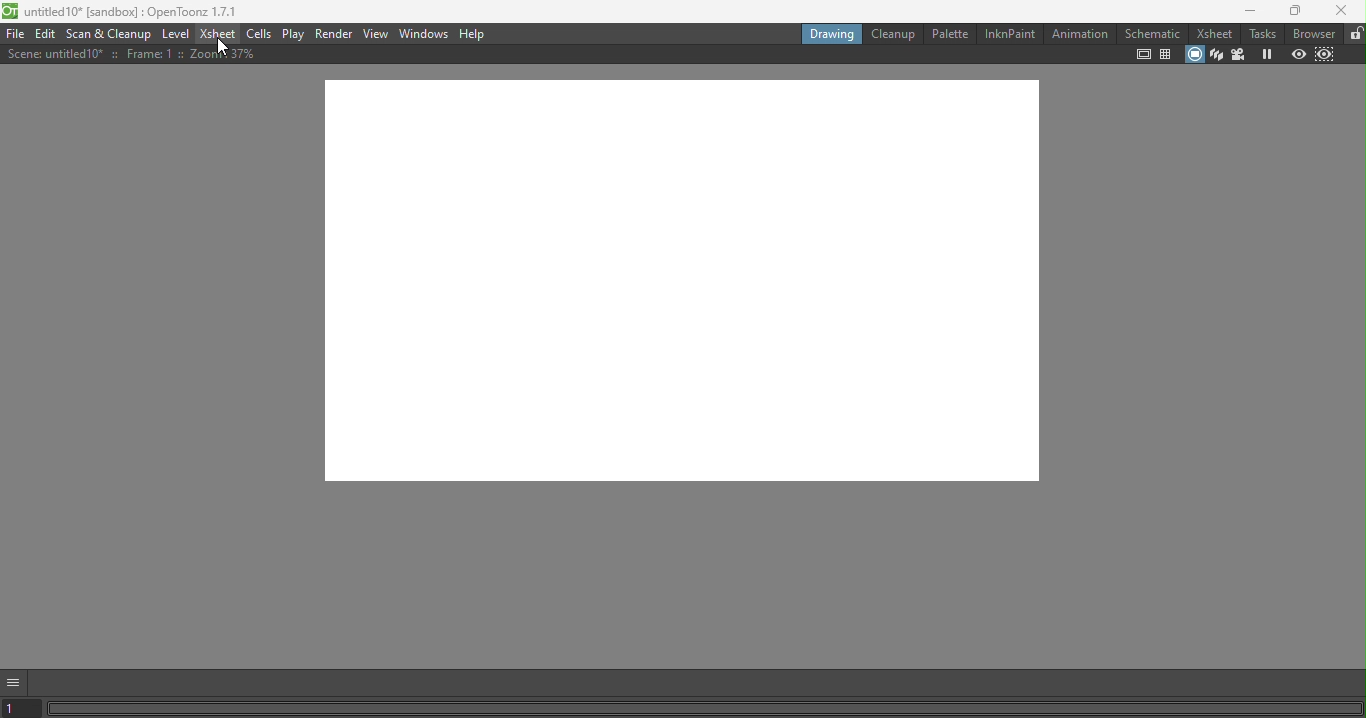 This screenshot has height=718, width=1366. Describe the element at coordinates (949, 33) in the screenshot. I see `Palette` at that location.